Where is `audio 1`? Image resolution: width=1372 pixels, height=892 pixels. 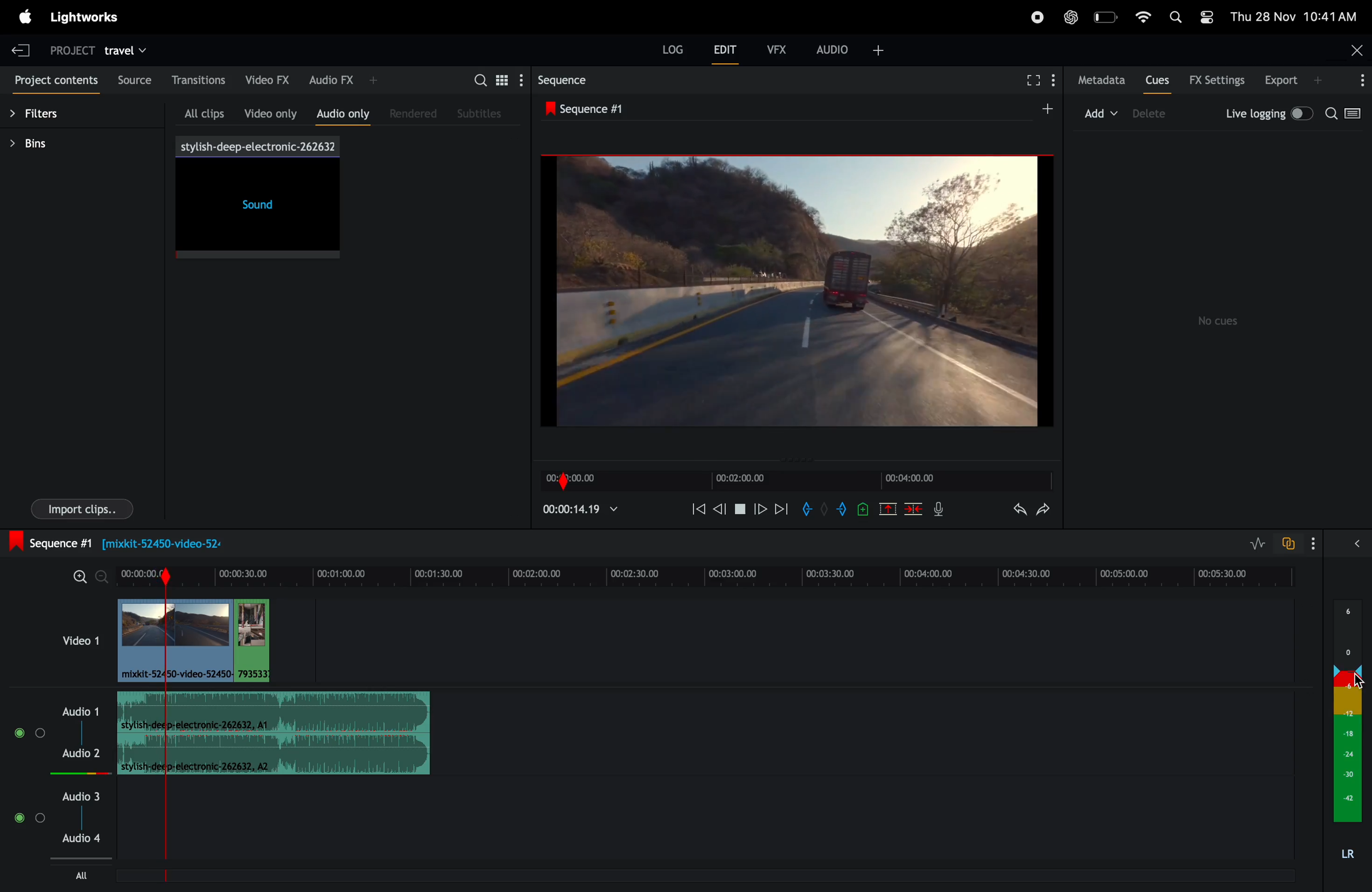 audio 1 is located at coordinates (82, 712).